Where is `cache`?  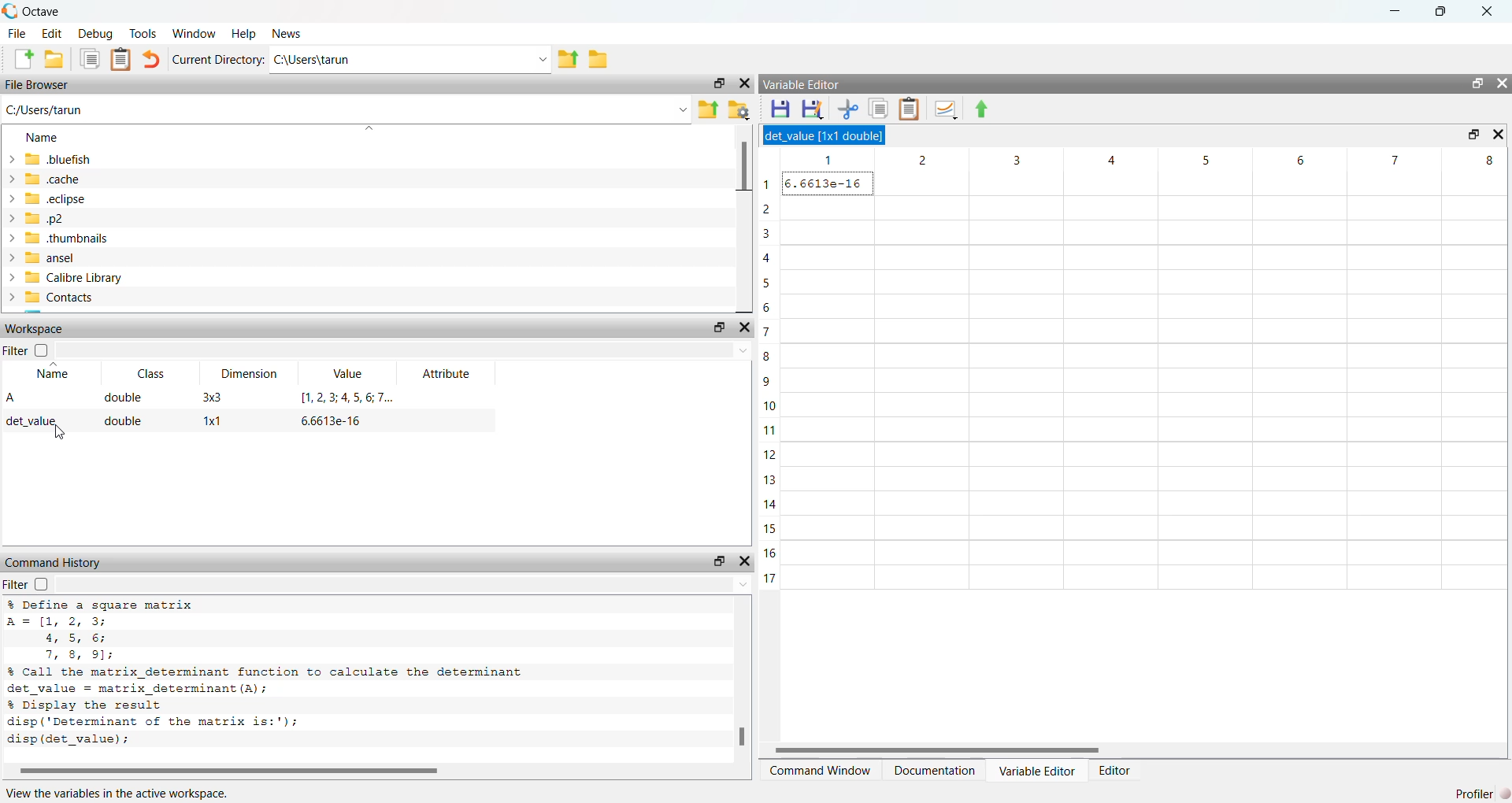
cache is located at coordinates (50, 179).